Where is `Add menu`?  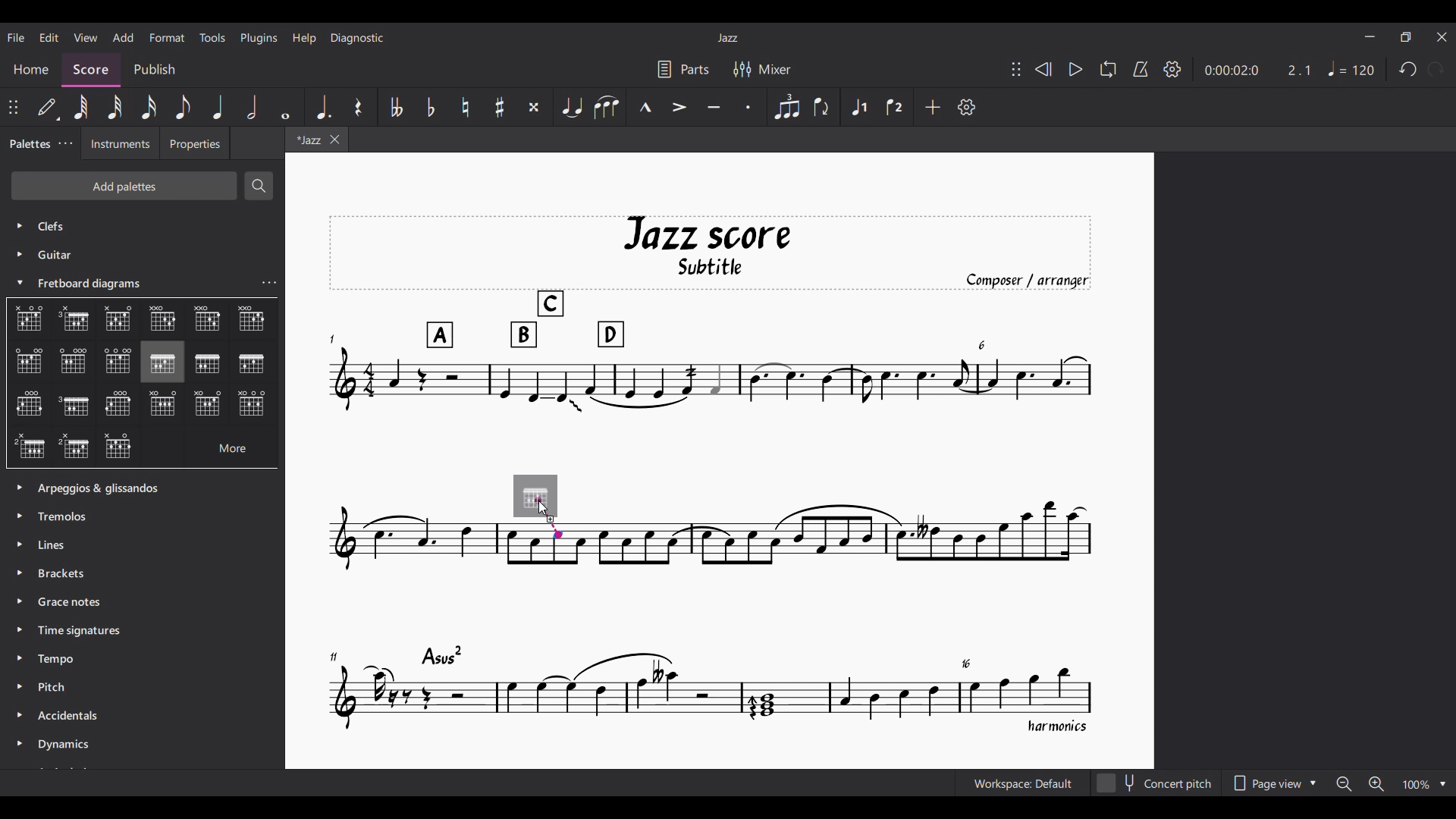 Add menu is located at coordinates (124, 38).